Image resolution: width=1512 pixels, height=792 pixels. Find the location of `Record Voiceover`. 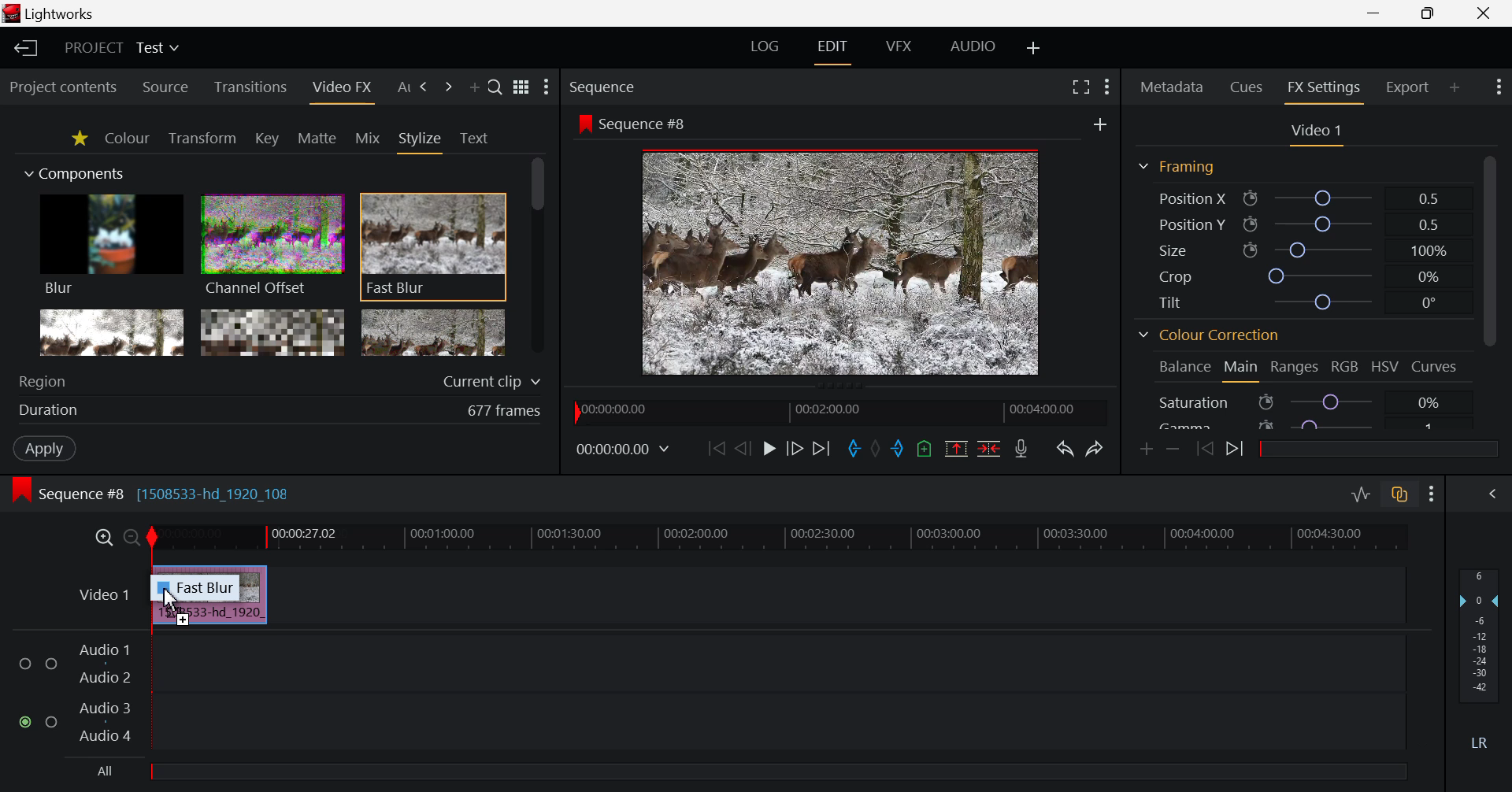

Record Voiceover is located at coordinates (1021, 451).